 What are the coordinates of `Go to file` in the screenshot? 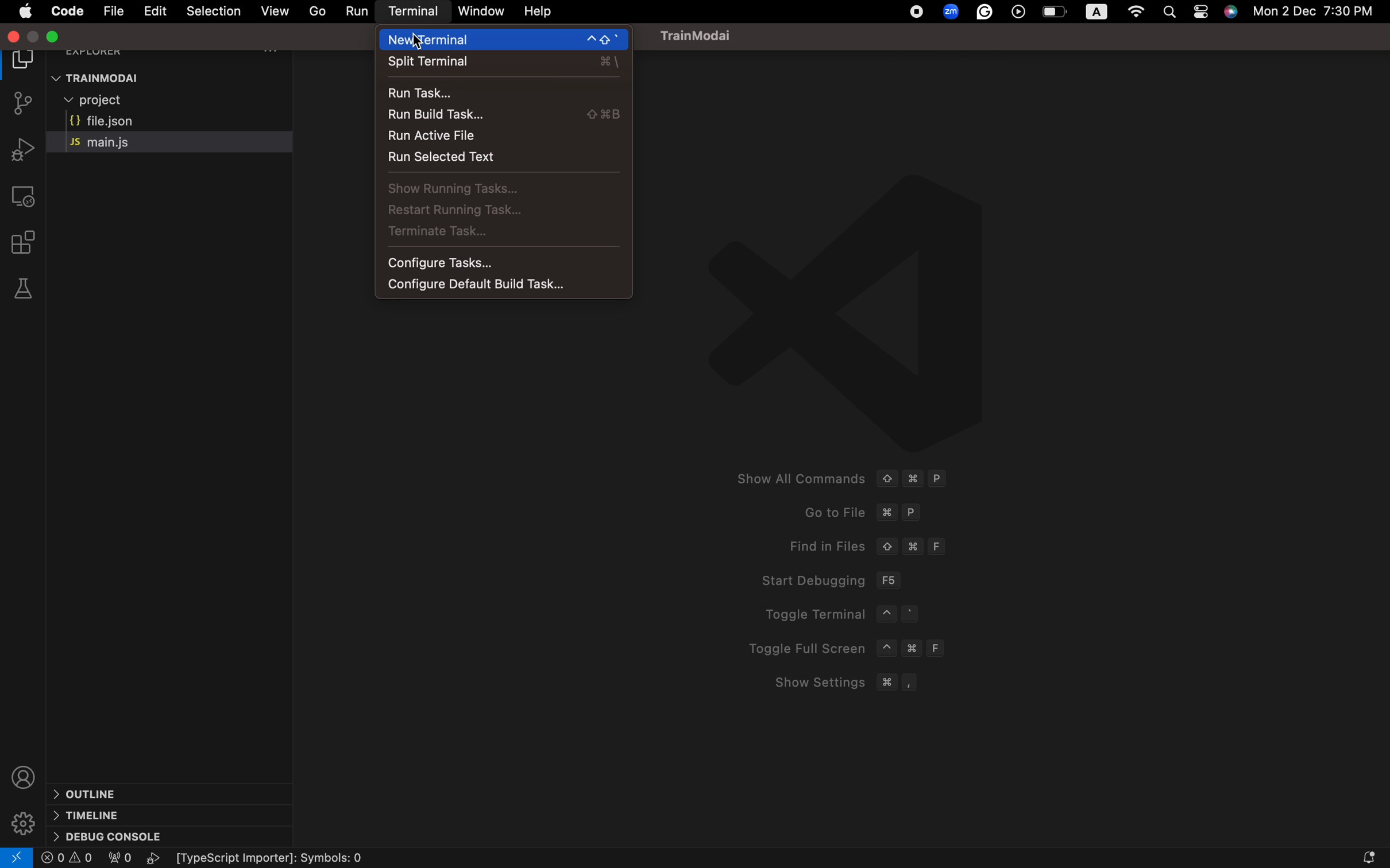 It's located at (860, 512).